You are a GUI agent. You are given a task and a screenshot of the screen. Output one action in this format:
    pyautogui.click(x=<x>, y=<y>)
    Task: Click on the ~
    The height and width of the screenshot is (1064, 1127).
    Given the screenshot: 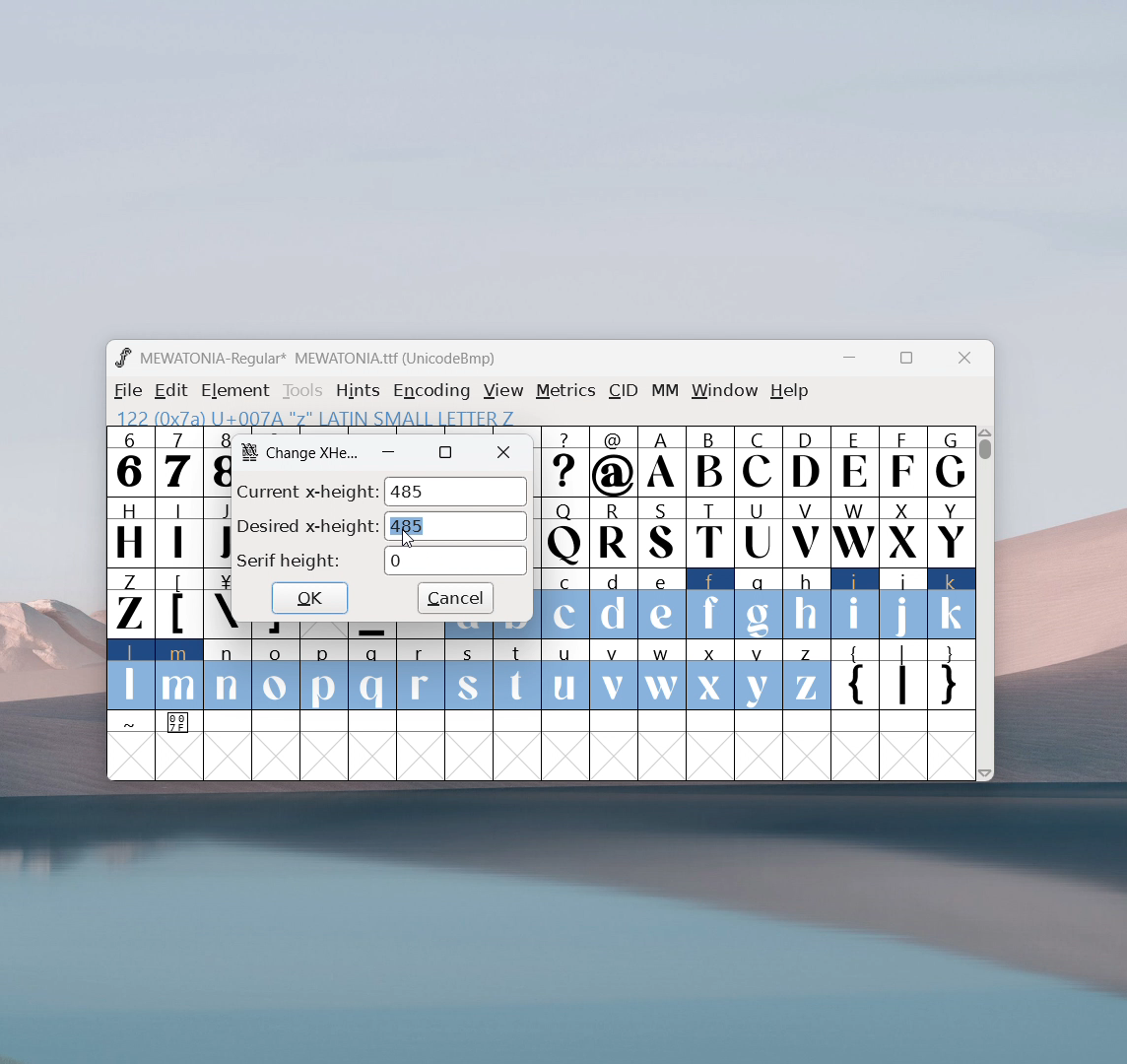 What is the action you would take?
    pyautogui.click(x=131, y=723)
    